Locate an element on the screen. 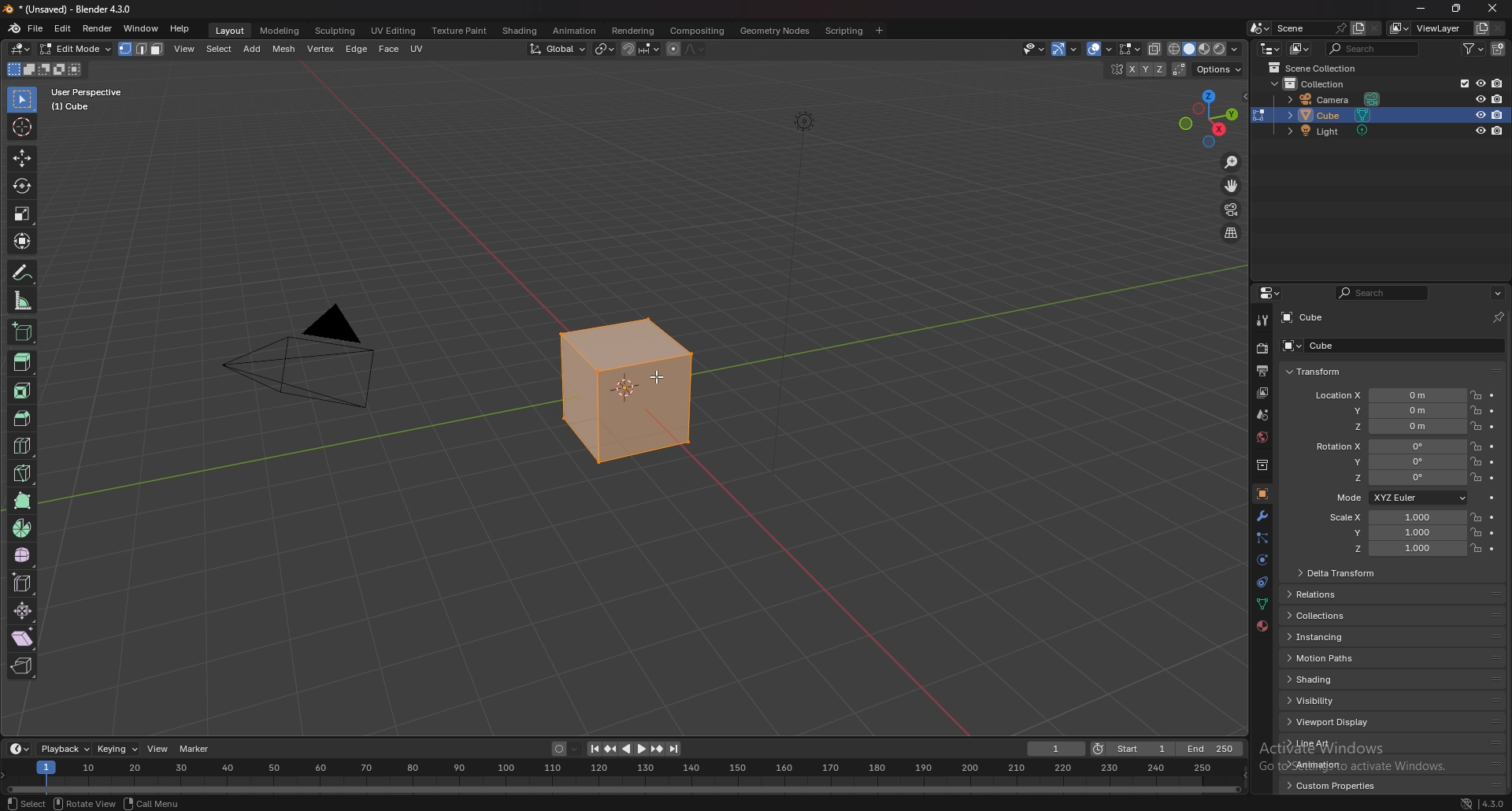  title is located at coordinates (71, 9).